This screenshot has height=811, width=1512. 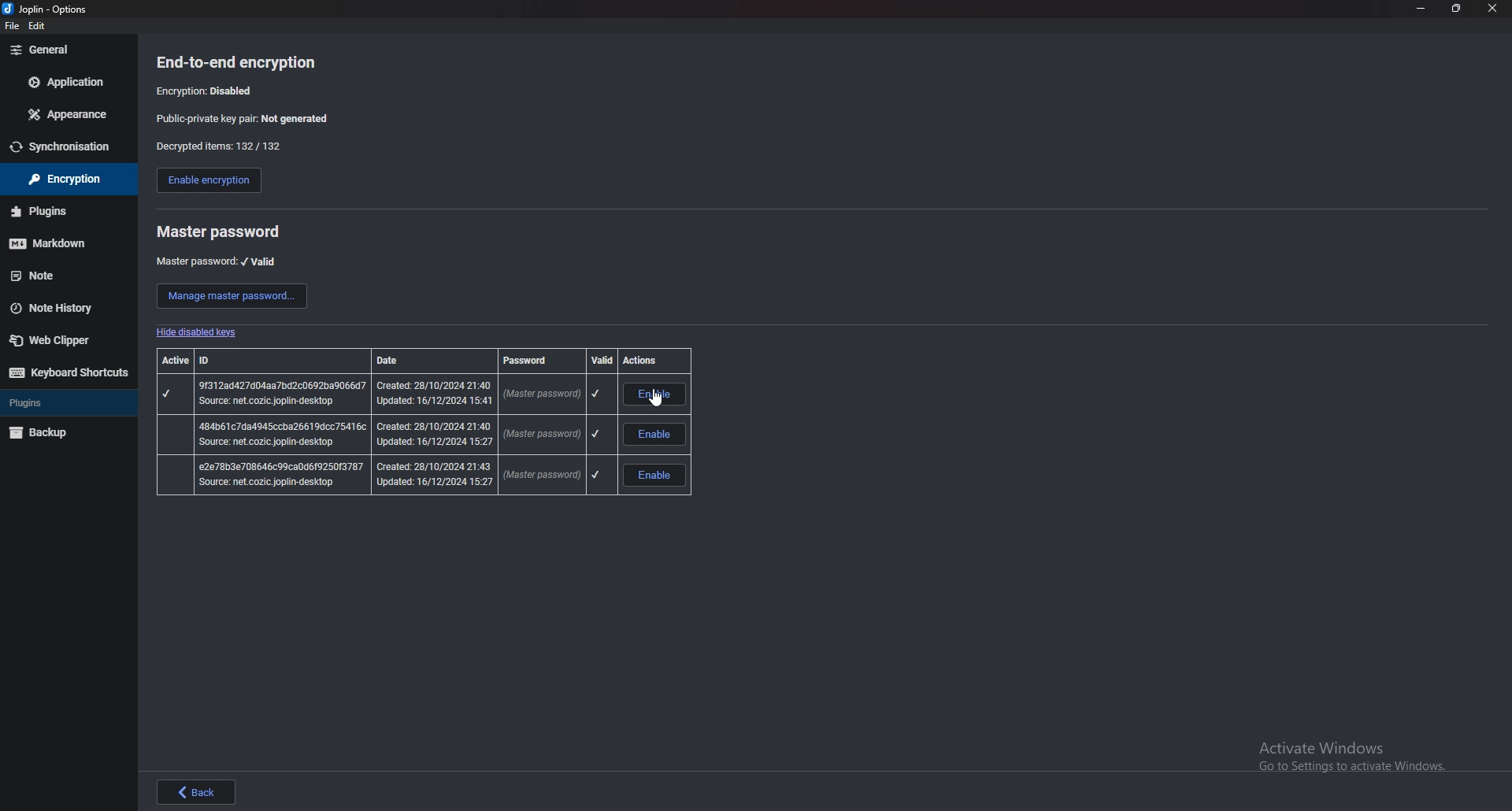 What do you see at coordinates (1347, 756) in the screenshot?
I see `Activate Windows` at bounding box center [1347, 756].